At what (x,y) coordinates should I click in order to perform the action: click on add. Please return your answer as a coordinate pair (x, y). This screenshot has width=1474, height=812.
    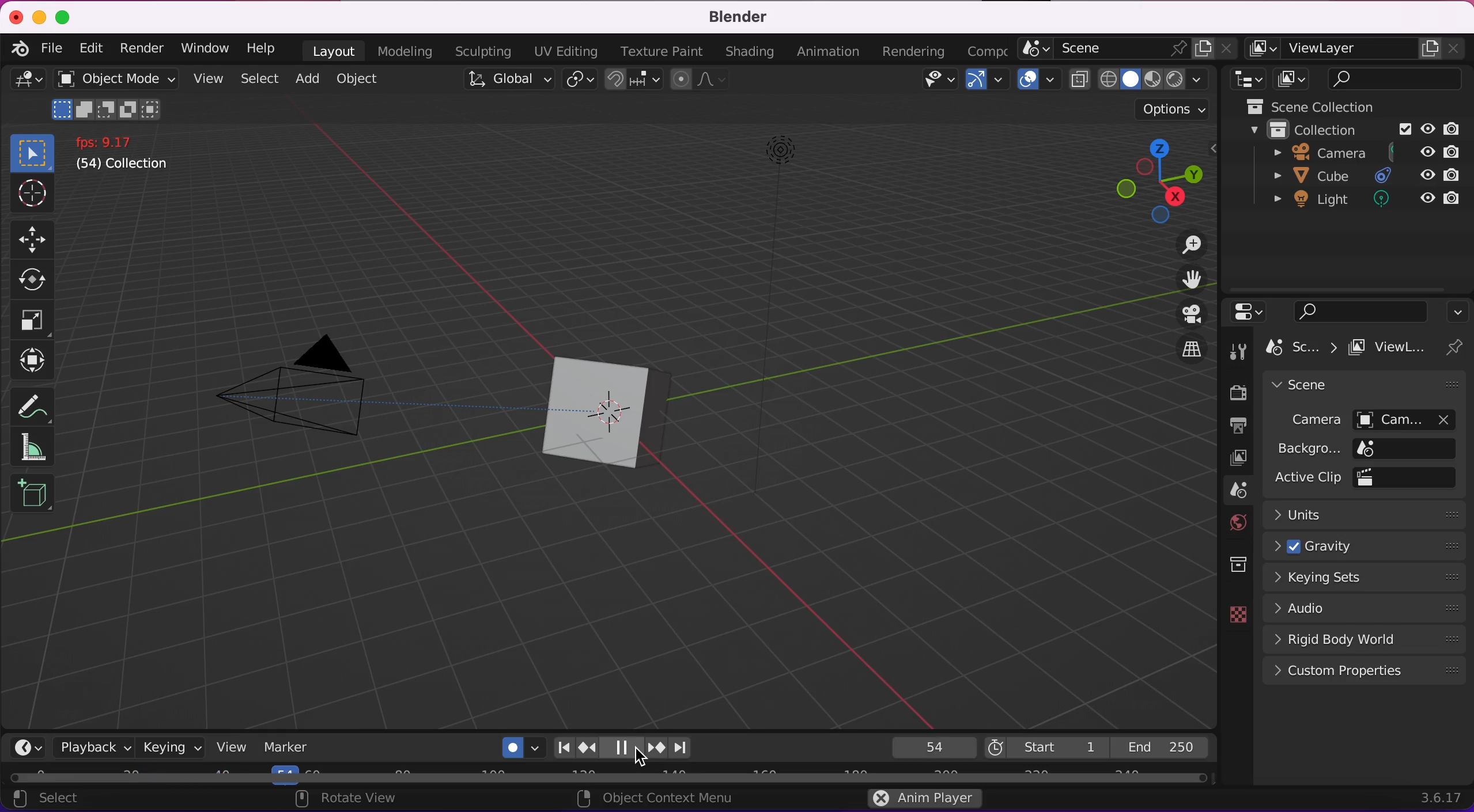
    Looking at the image, I should click on (304, 79).